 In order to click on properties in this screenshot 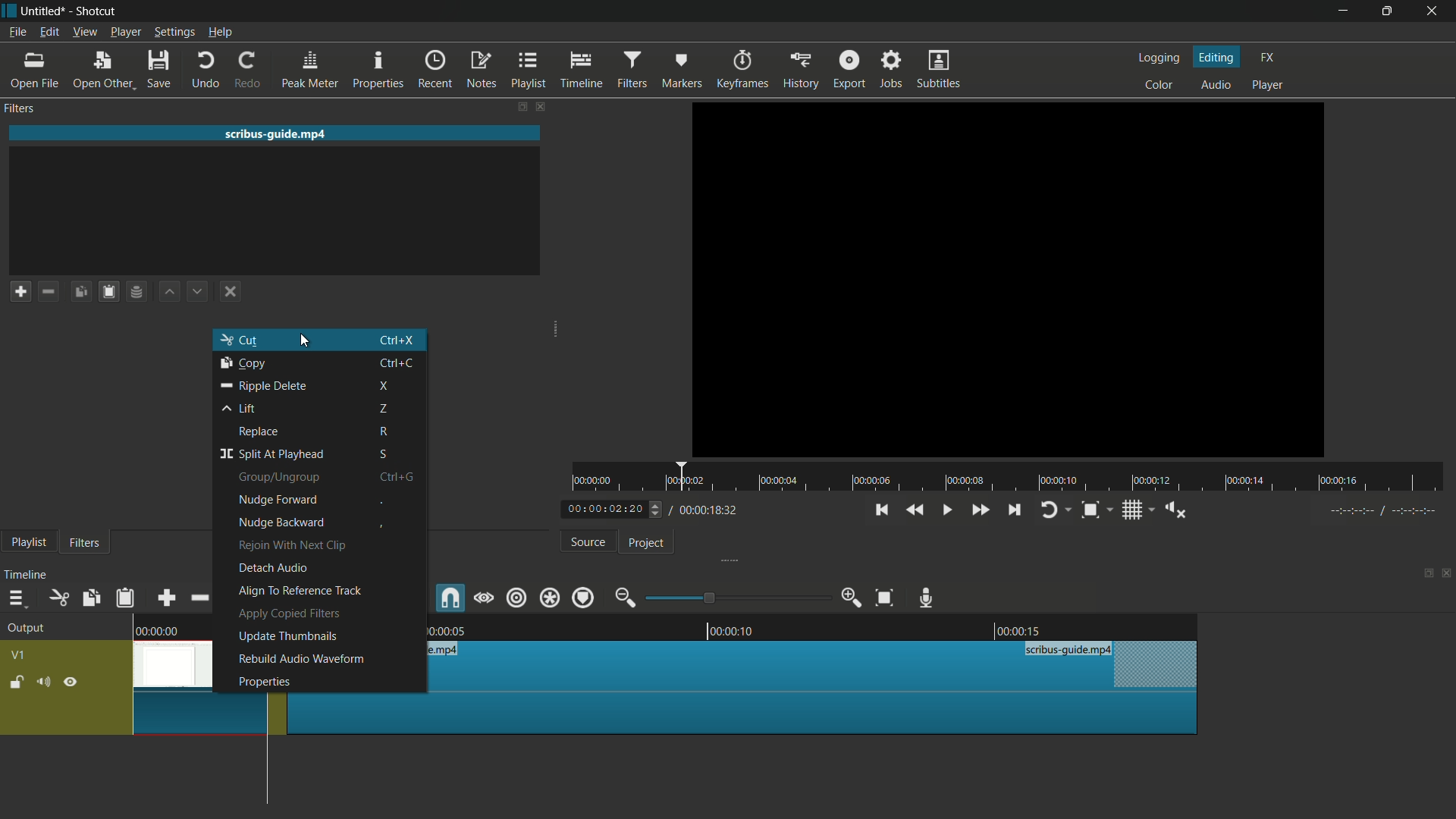, I will do `click(378, 69)`.